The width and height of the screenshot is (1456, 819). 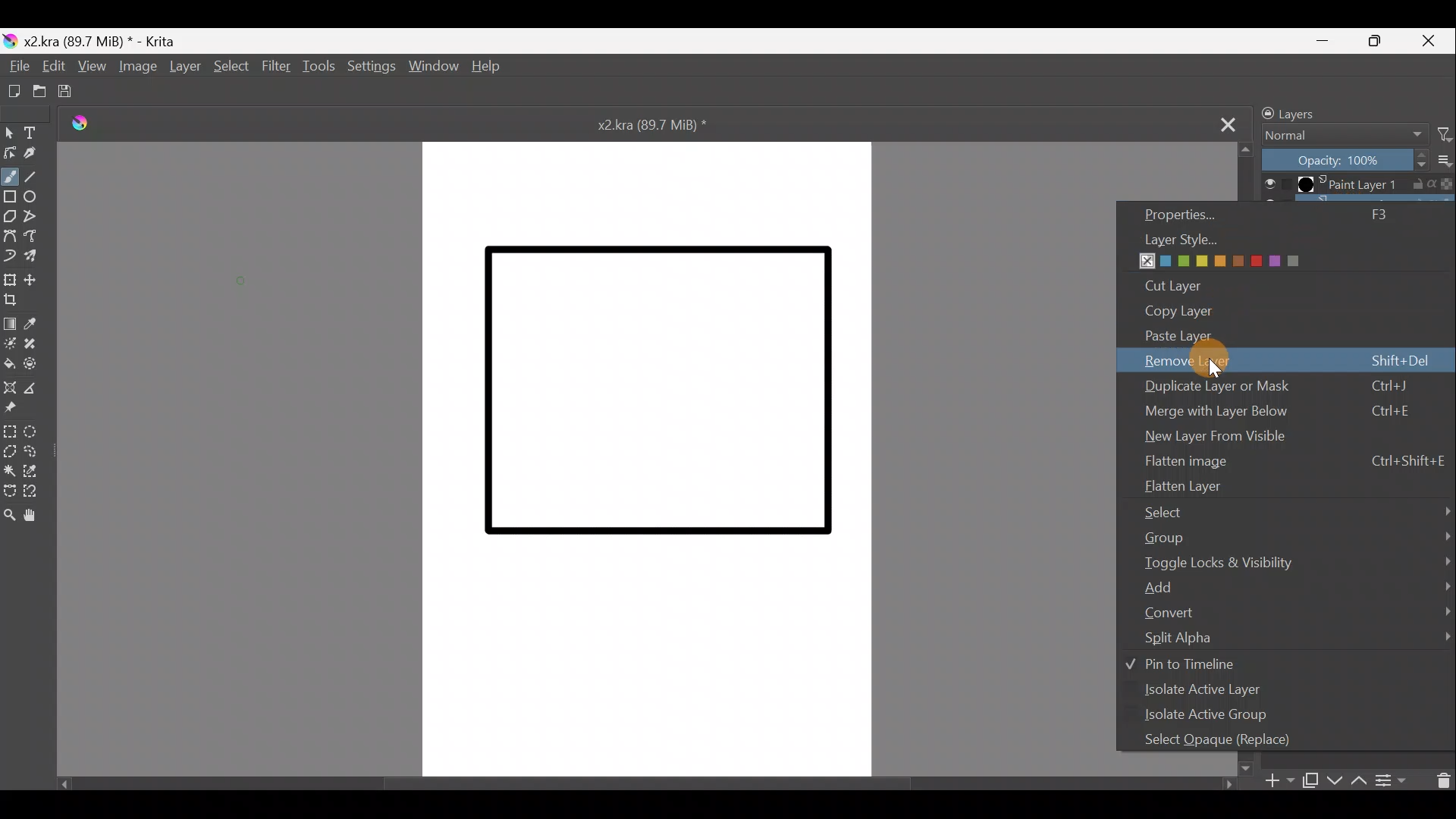 What do you see at coordinates (140, 67) in the screenshot?
I see `Image` at bounding box center [140, 67].